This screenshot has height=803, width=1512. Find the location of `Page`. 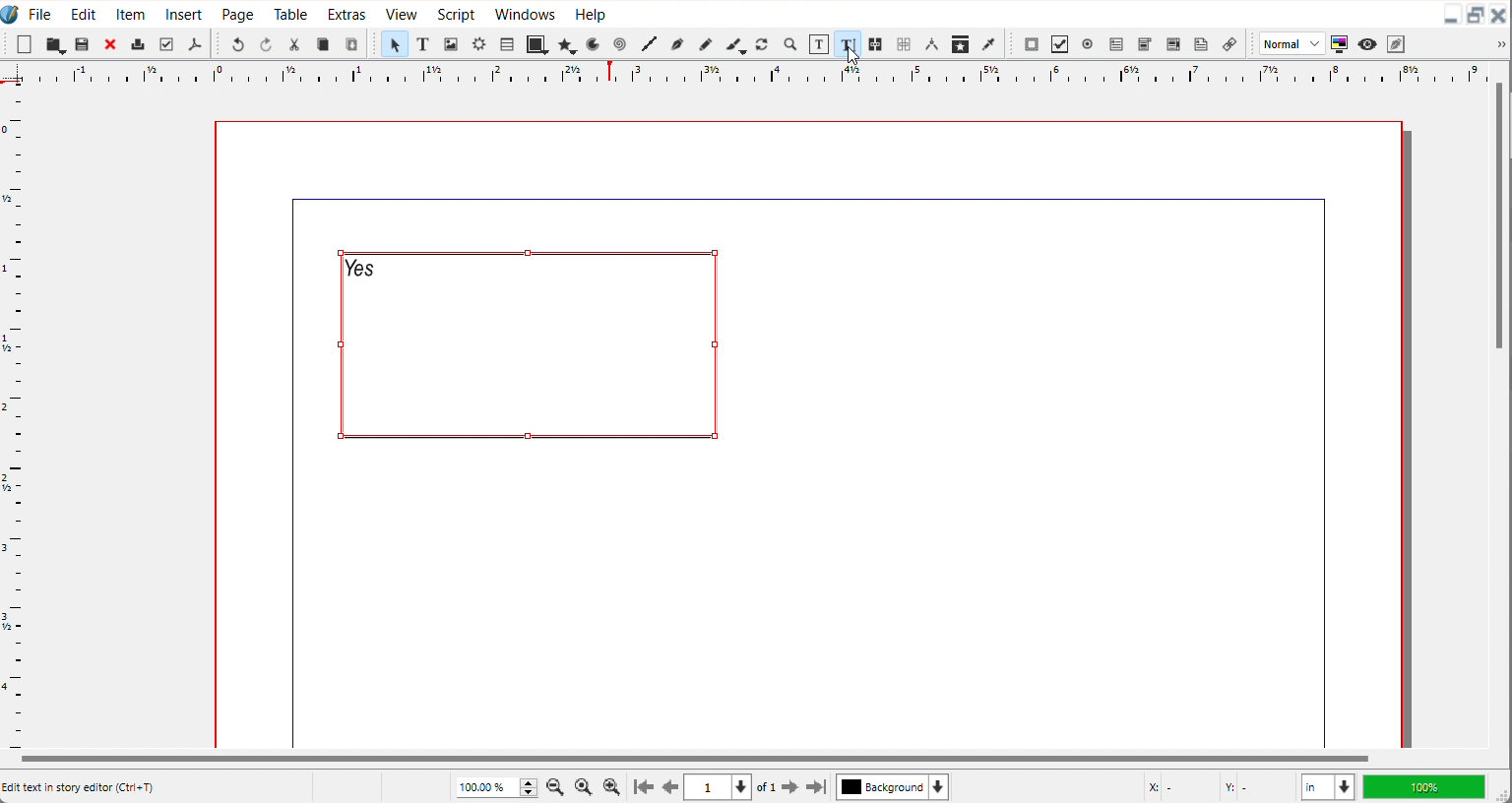

Page is located at coordinates (237, 13).